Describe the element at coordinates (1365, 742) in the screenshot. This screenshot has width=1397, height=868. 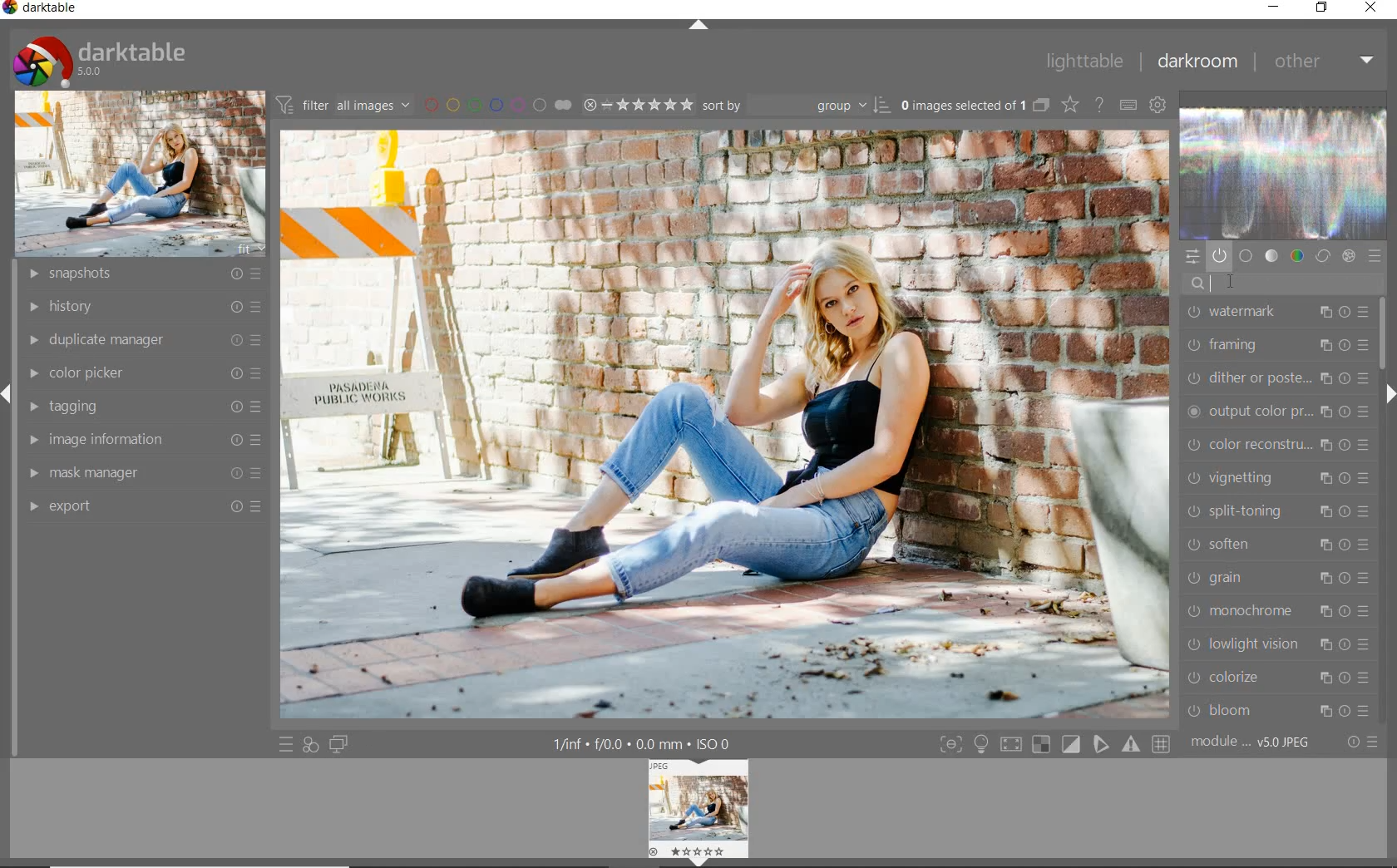
I see `reset or presets & preferences` at that location.